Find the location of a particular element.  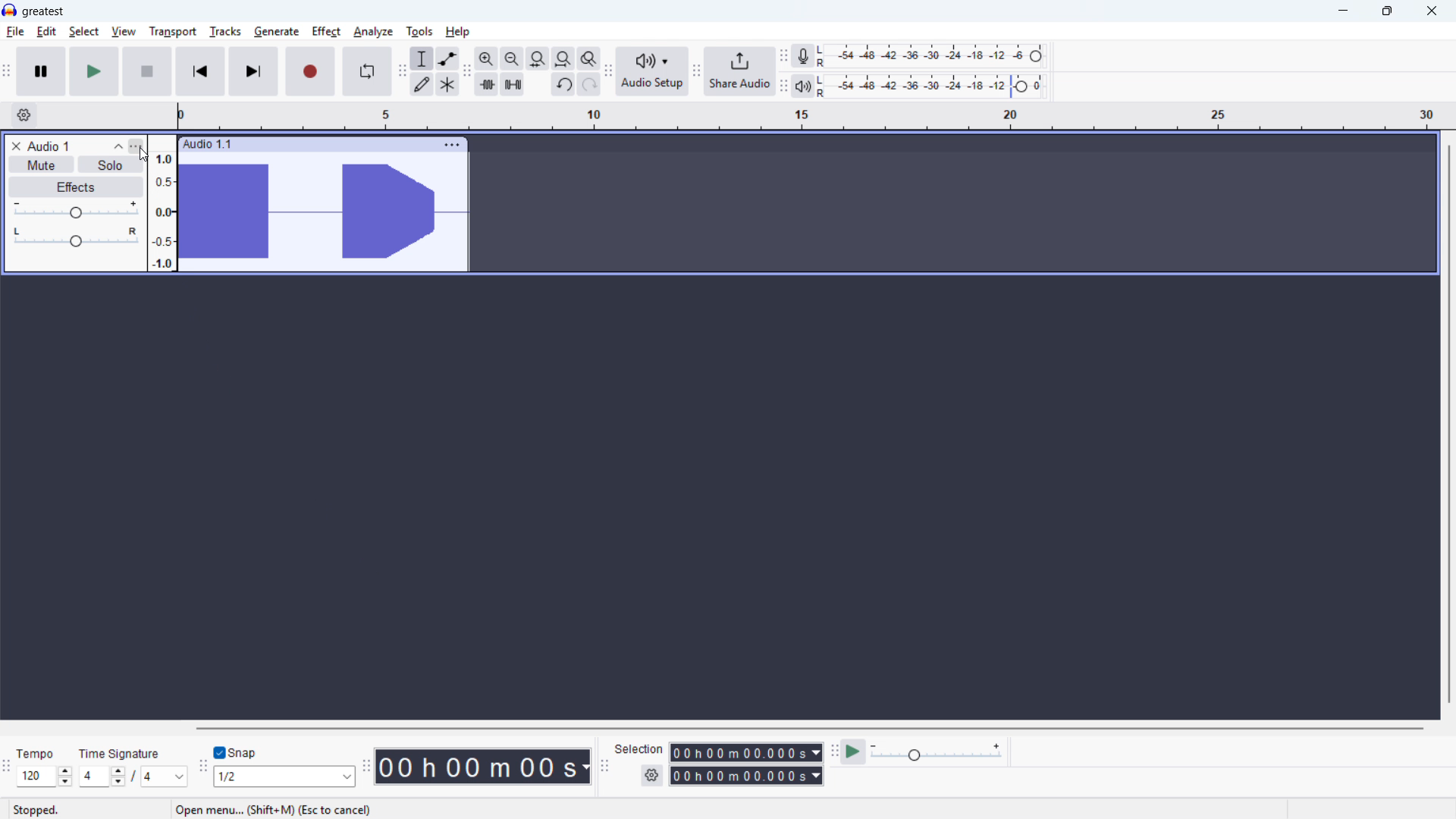

remove track is located at coordinates (16, 146).